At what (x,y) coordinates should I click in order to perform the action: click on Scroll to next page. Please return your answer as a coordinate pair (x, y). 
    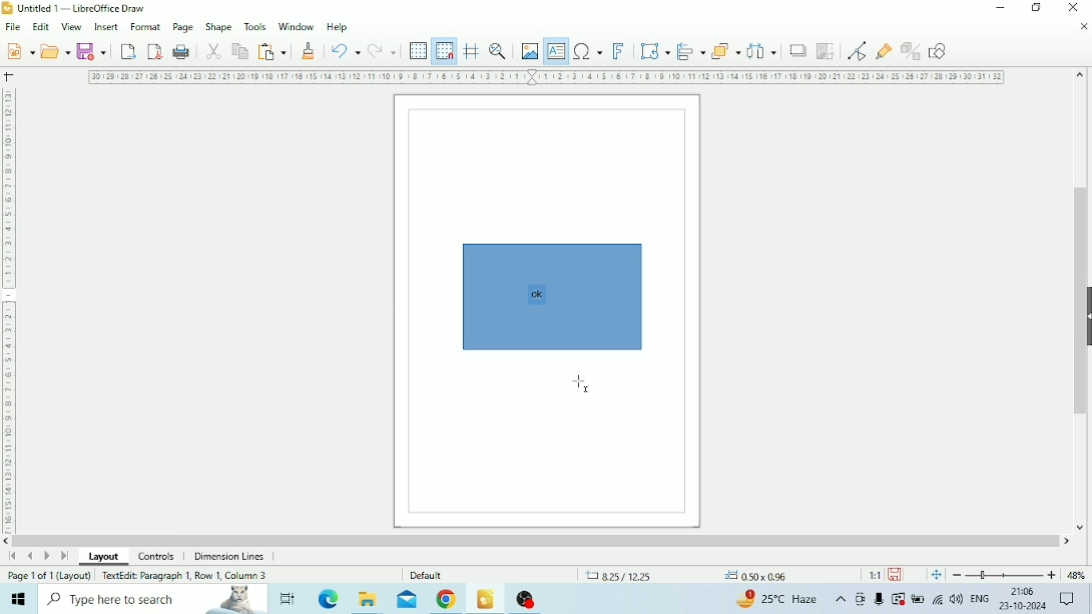
    Looking at the image, I should click on (48, 556).